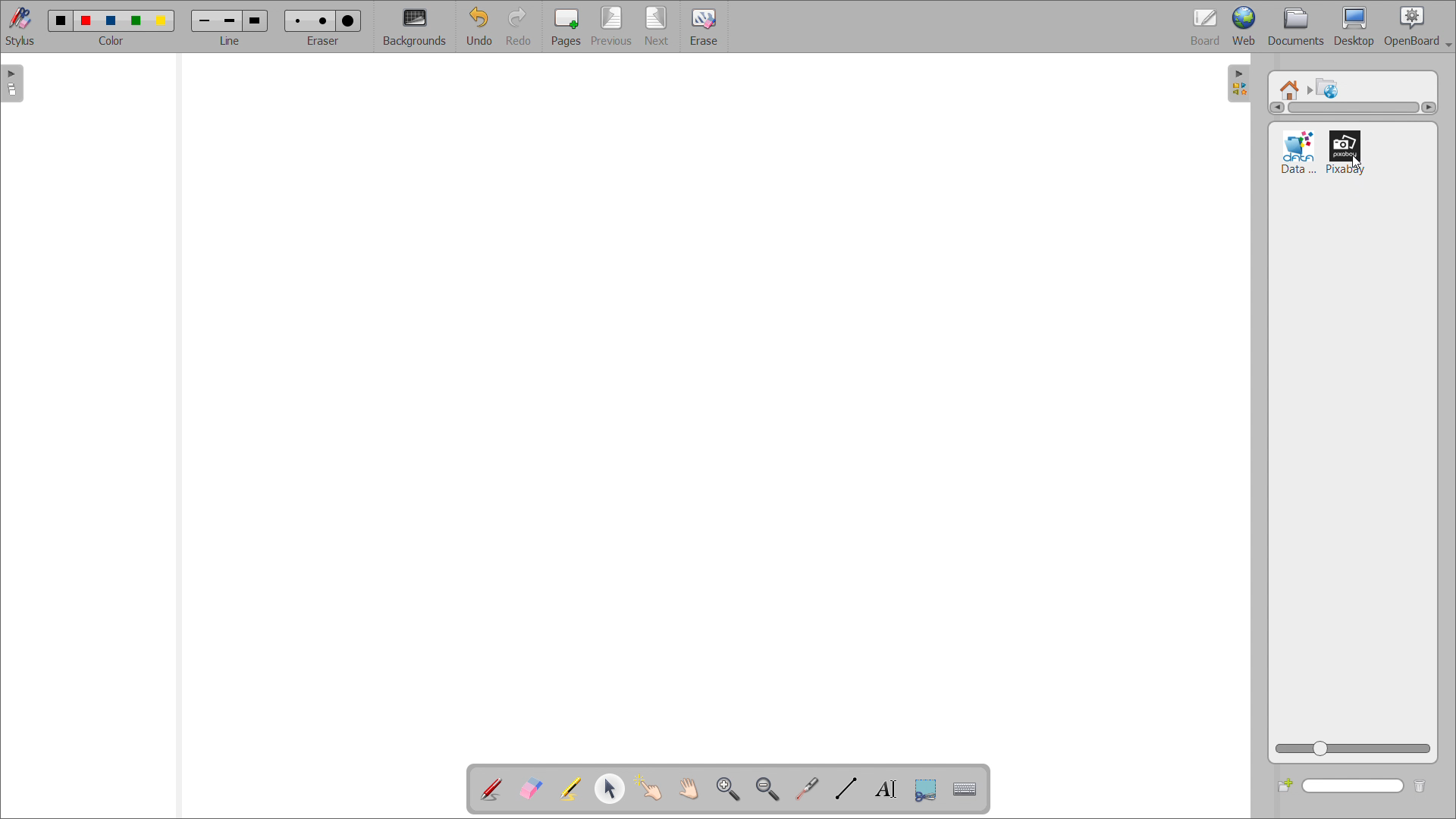 Image resolution: width=1456 pixels, height=819 pixels. What do you see at coordinates (1347, 152) in the screenshot?
I see `pixabay.wgs` at bounding box center [1347, 152].